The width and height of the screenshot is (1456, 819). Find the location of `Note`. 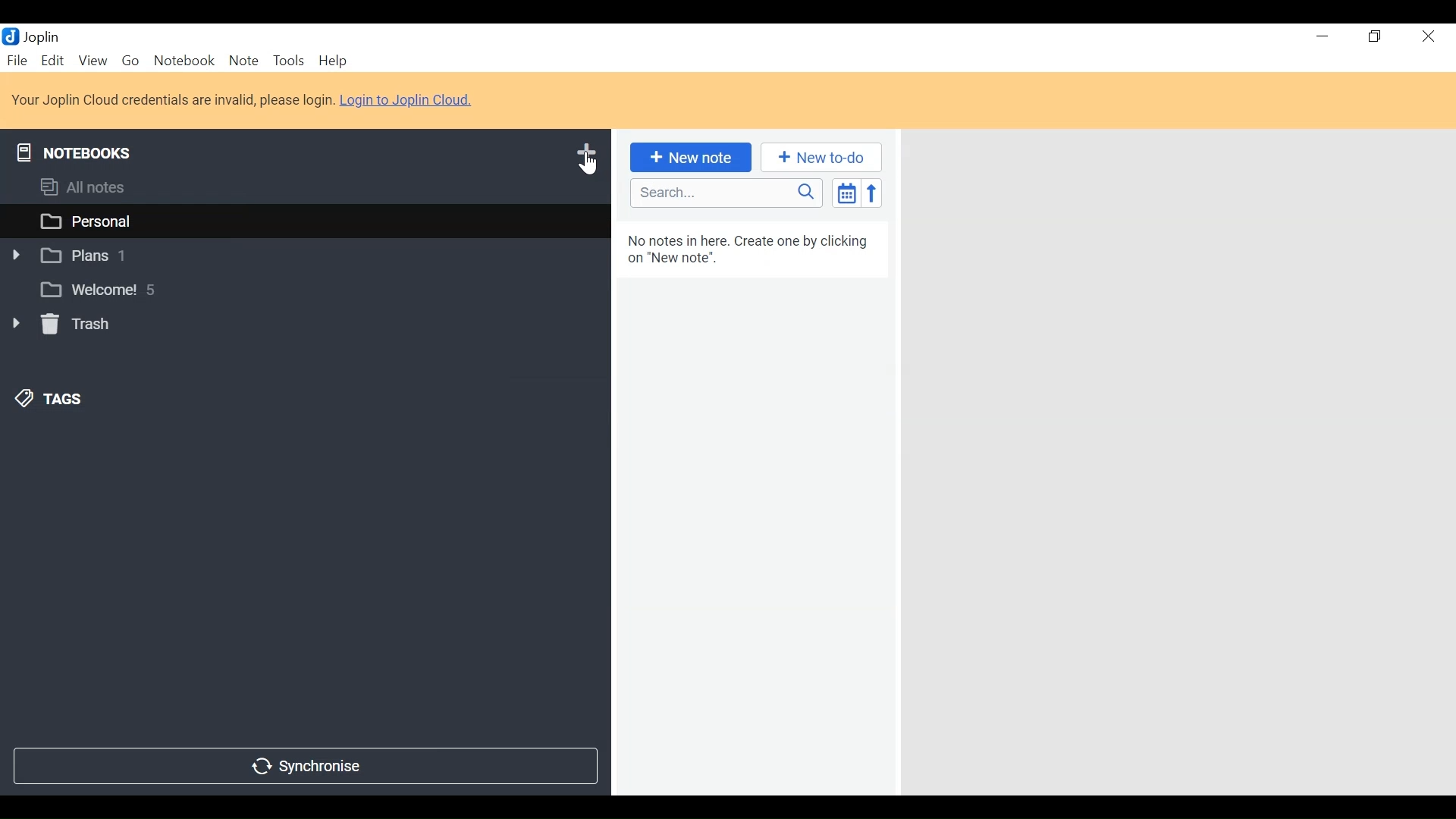

Note is located at coordinates (243, 60).